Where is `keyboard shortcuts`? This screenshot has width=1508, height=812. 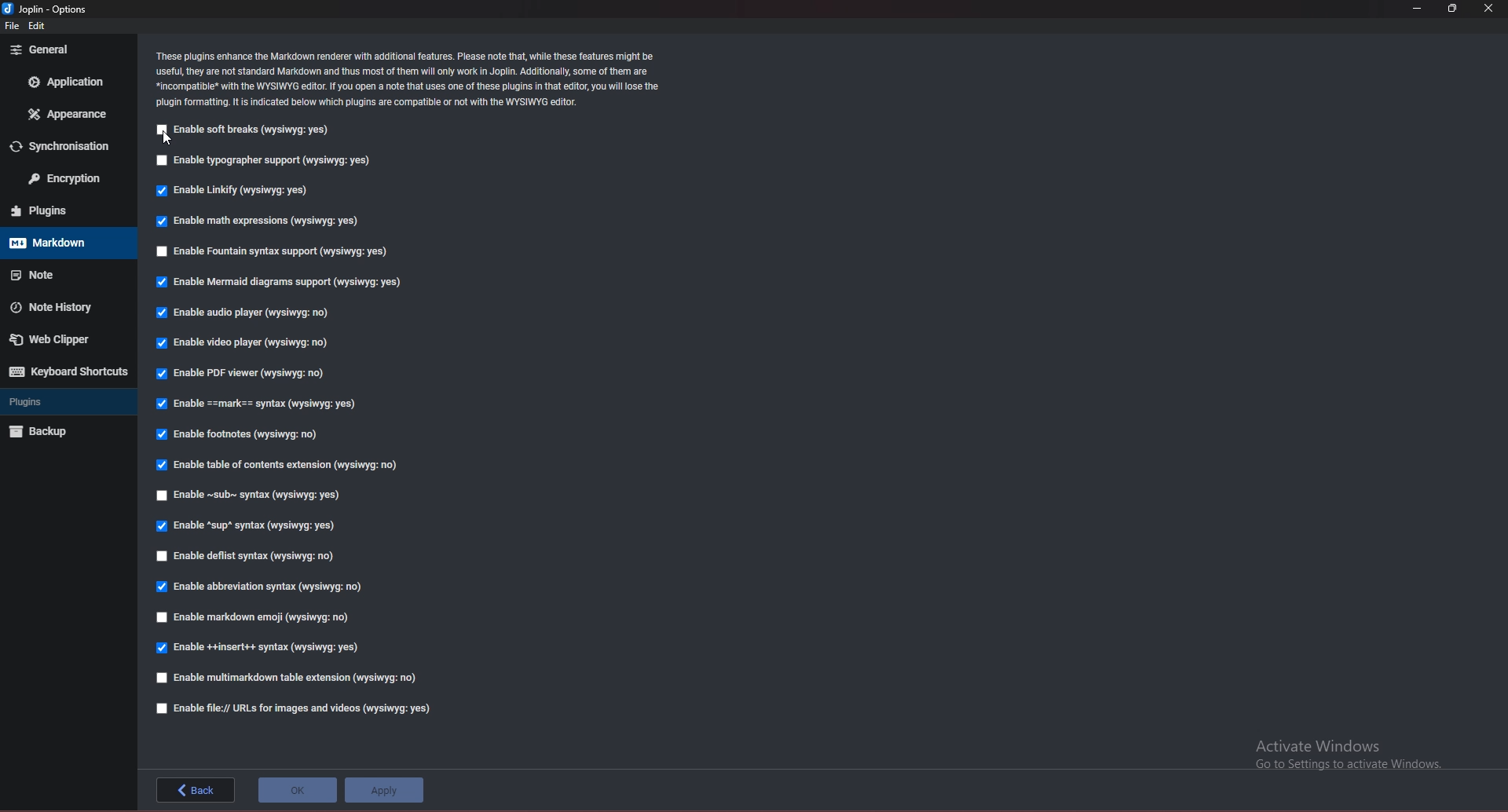 keyboard shortcuts is located at coordinates (66, 371).